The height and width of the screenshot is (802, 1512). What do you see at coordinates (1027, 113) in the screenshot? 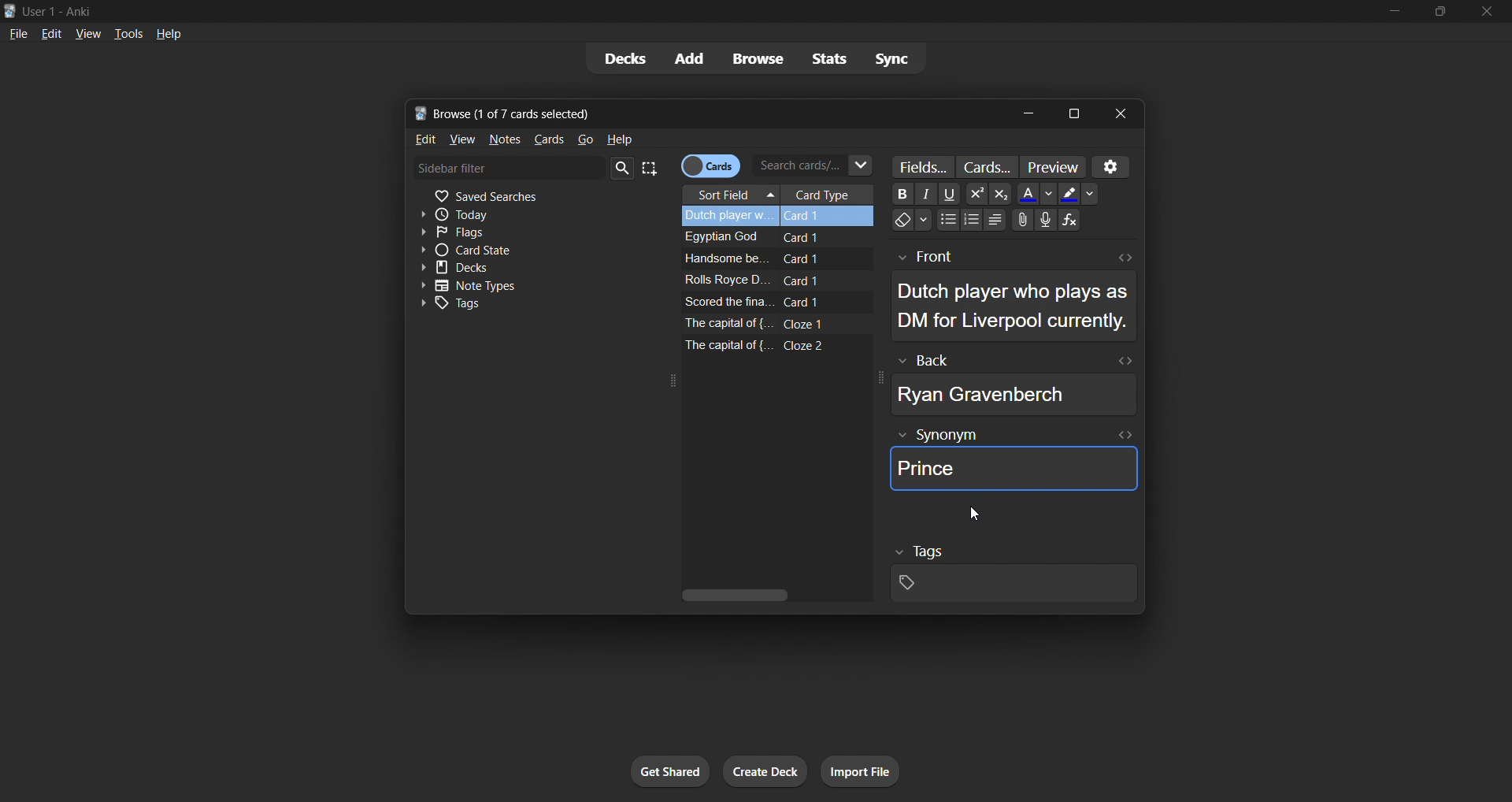
I see `minimize` at bounding box center [1027, 113].